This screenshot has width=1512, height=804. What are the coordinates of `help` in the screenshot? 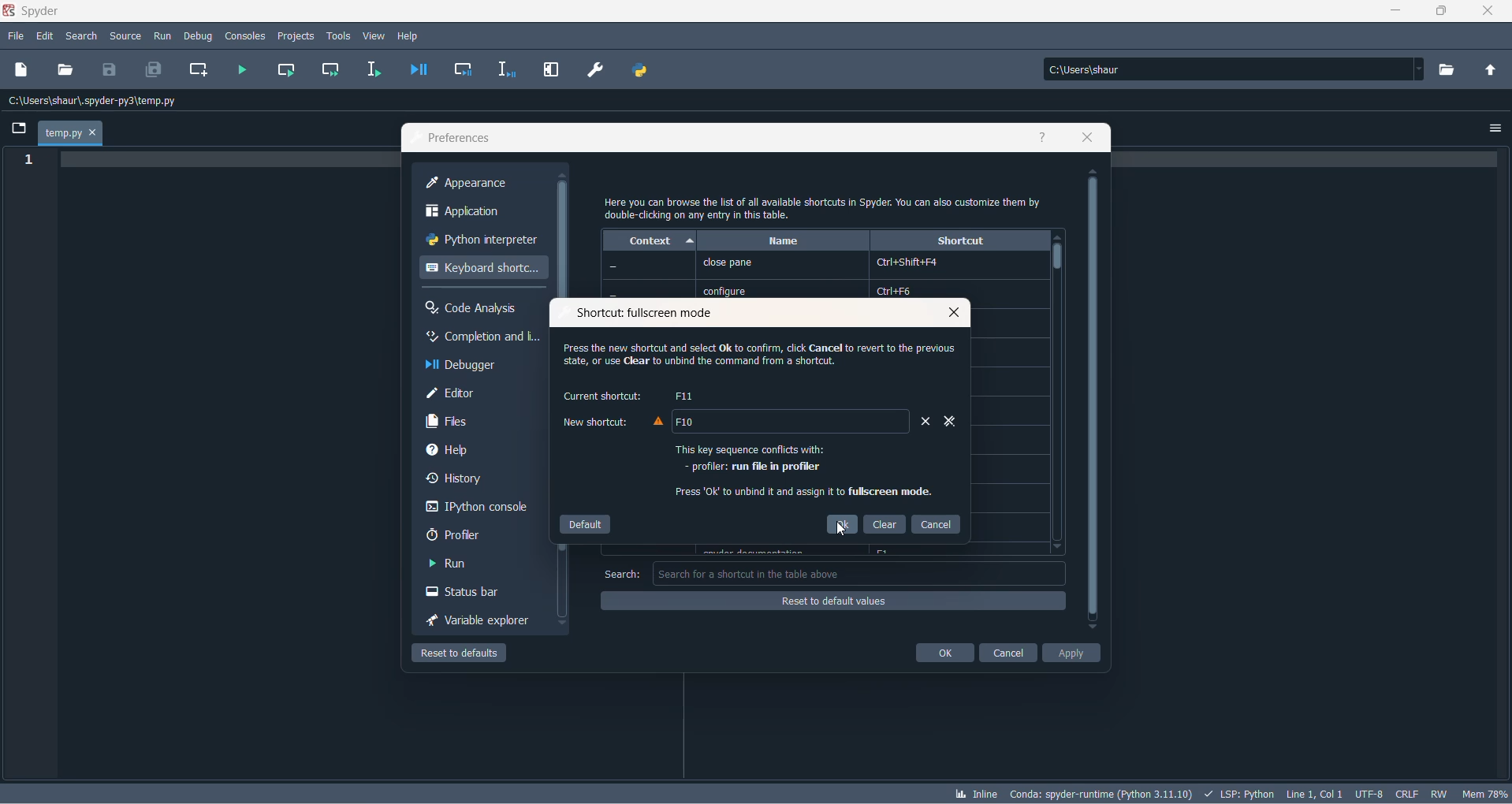 It's located at (1045, 139).